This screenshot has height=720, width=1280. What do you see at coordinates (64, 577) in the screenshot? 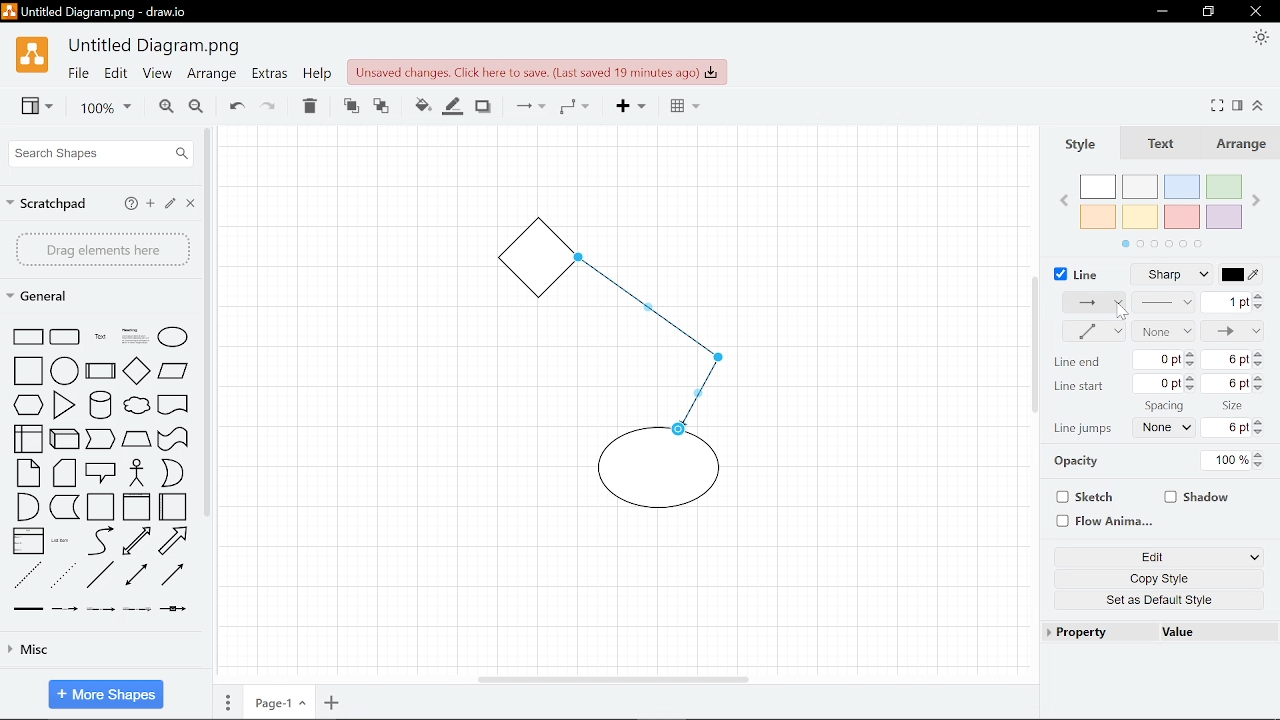
I see `shape` at bounding box center [64, 577].